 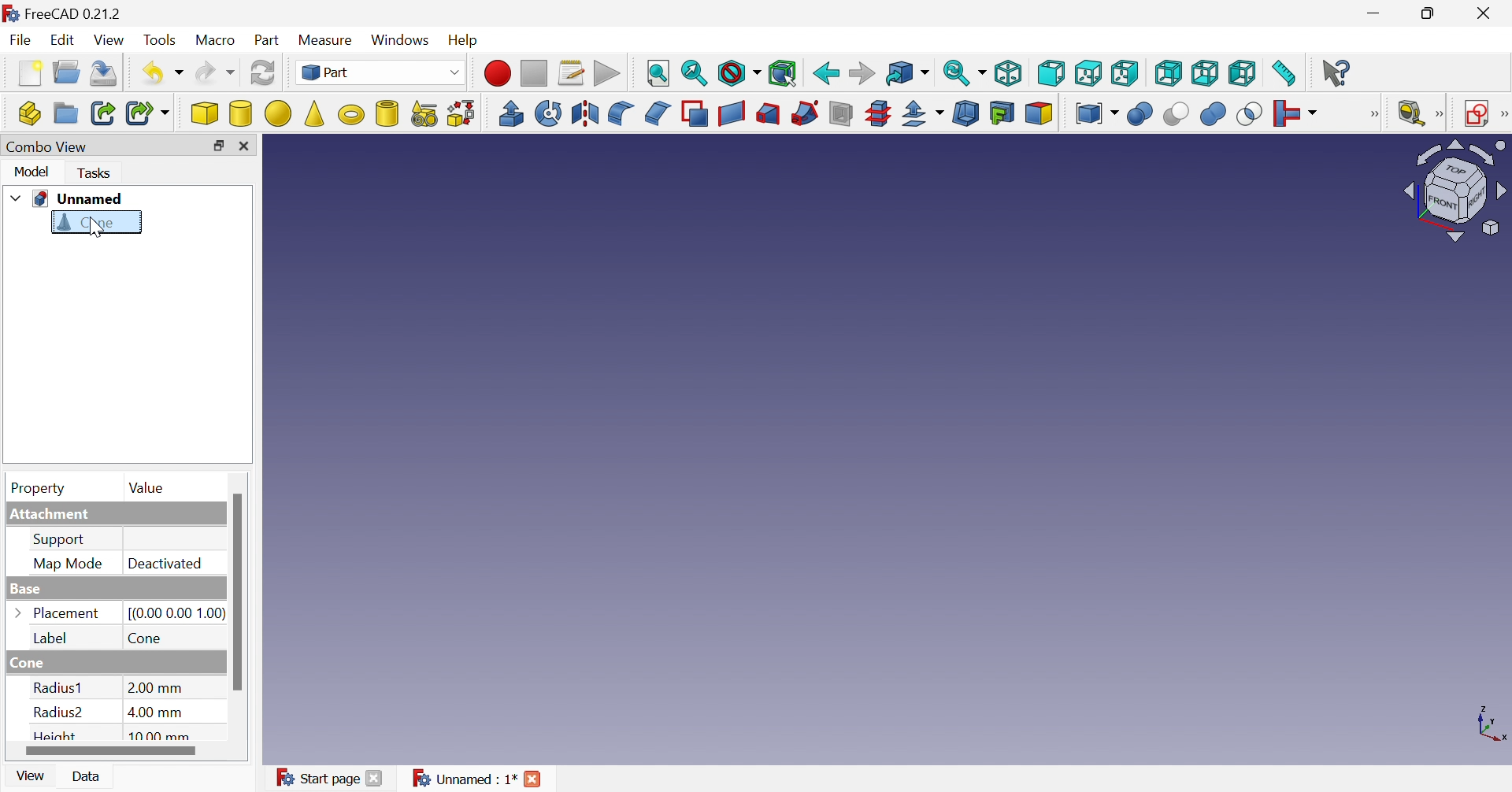 What do you see at coordinates (48, 147) in the screenshot?
I see `Combo View` at bounding box center [48, 147].